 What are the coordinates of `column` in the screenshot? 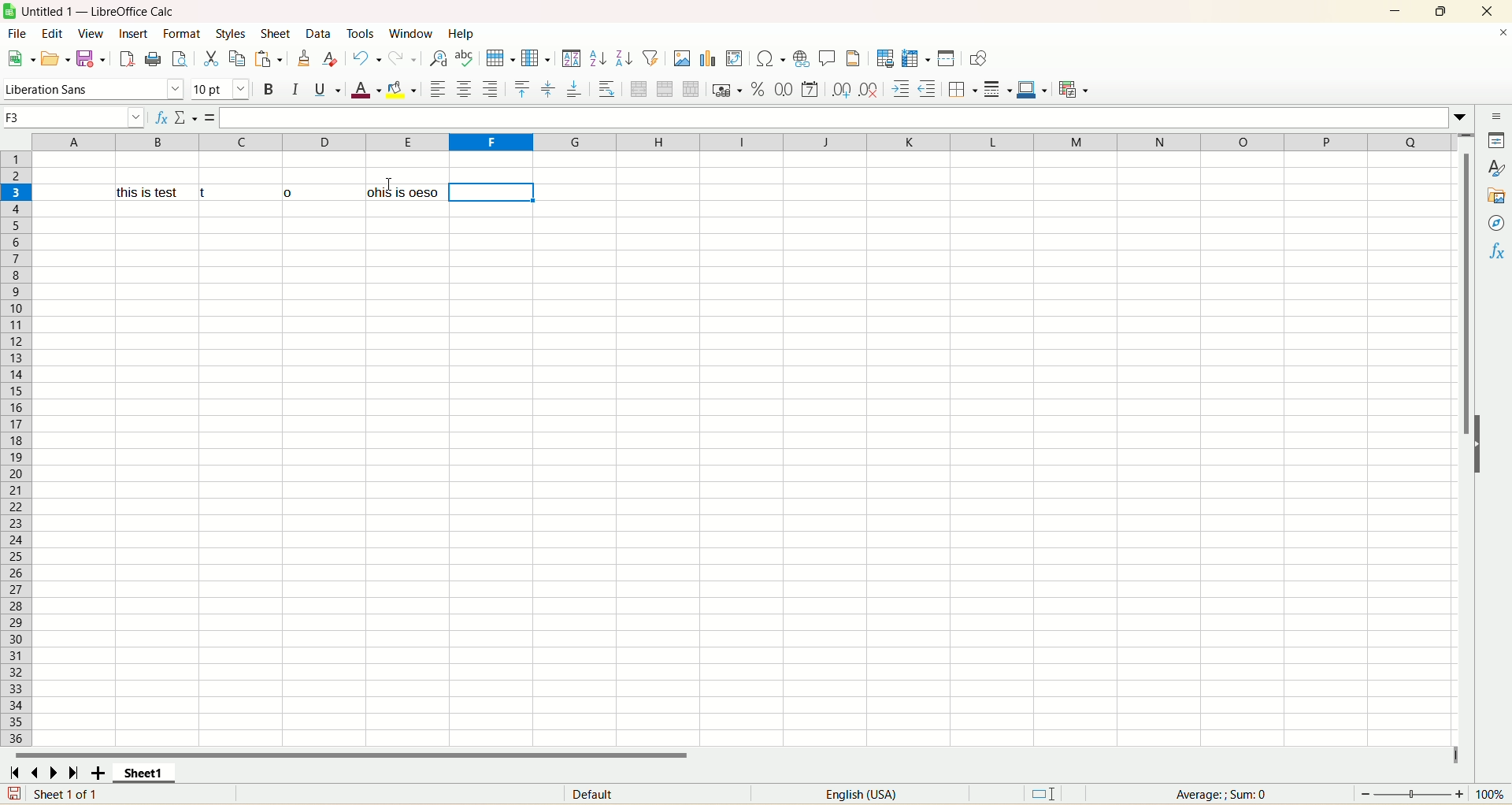 It's located at (743, 141).